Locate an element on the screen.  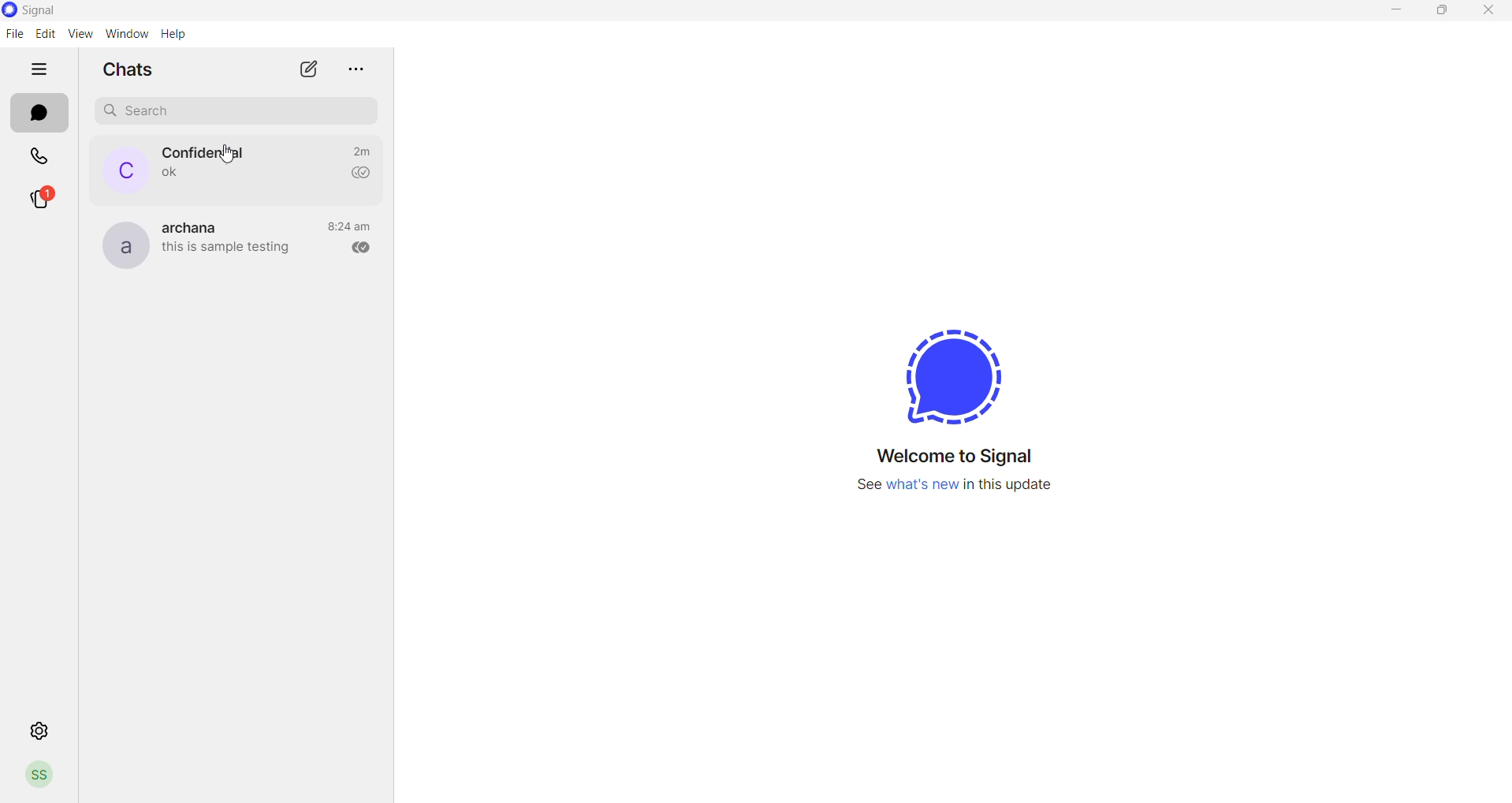
edit is located at coordinates (44, 32).